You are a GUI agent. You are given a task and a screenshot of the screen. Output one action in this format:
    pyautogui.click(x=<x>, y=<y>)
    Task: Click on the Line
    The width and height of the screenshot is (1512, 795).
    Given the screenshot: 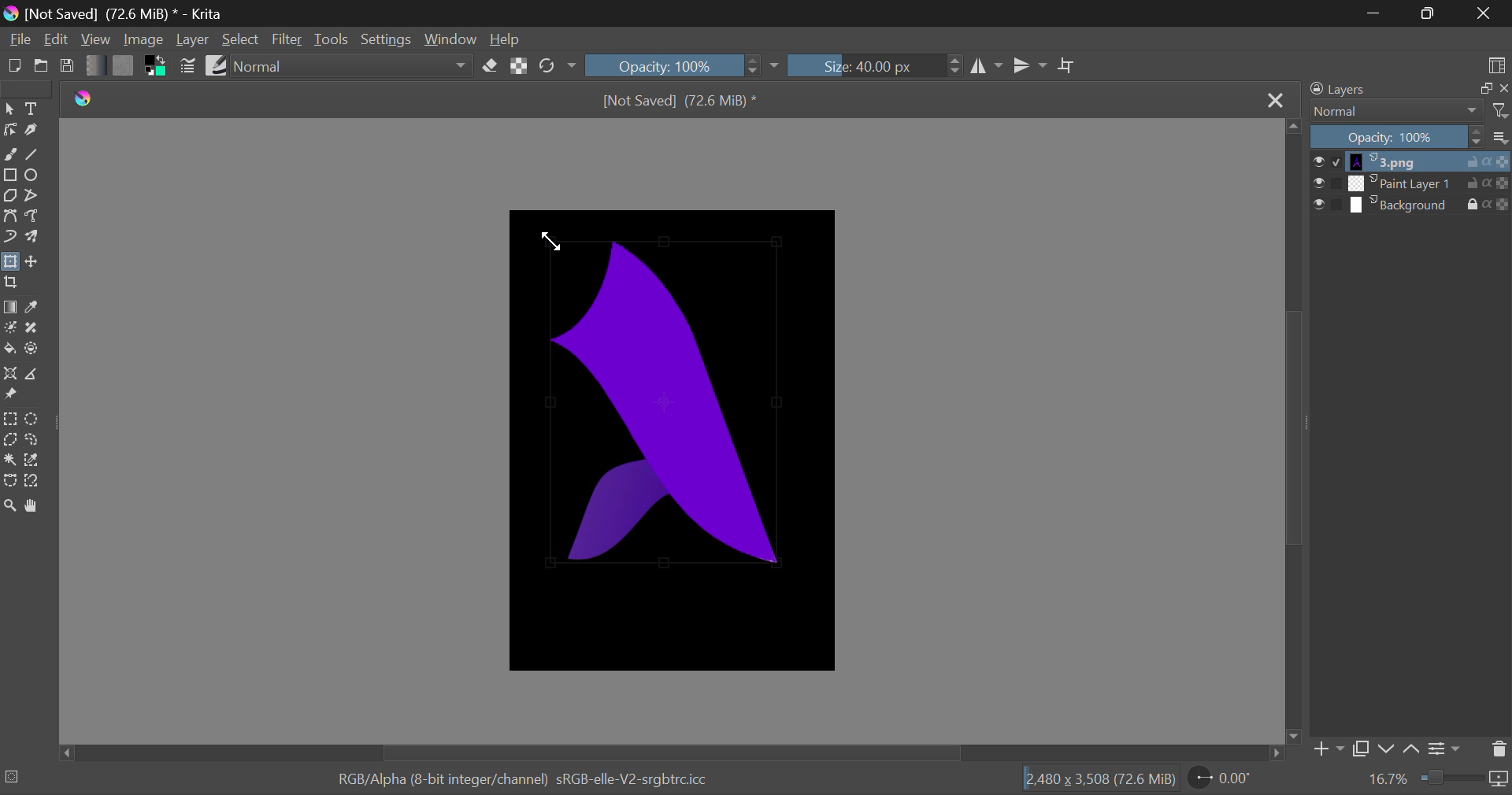 What is the action you would take?
    pyautogui.click(x=34, y=155)
    